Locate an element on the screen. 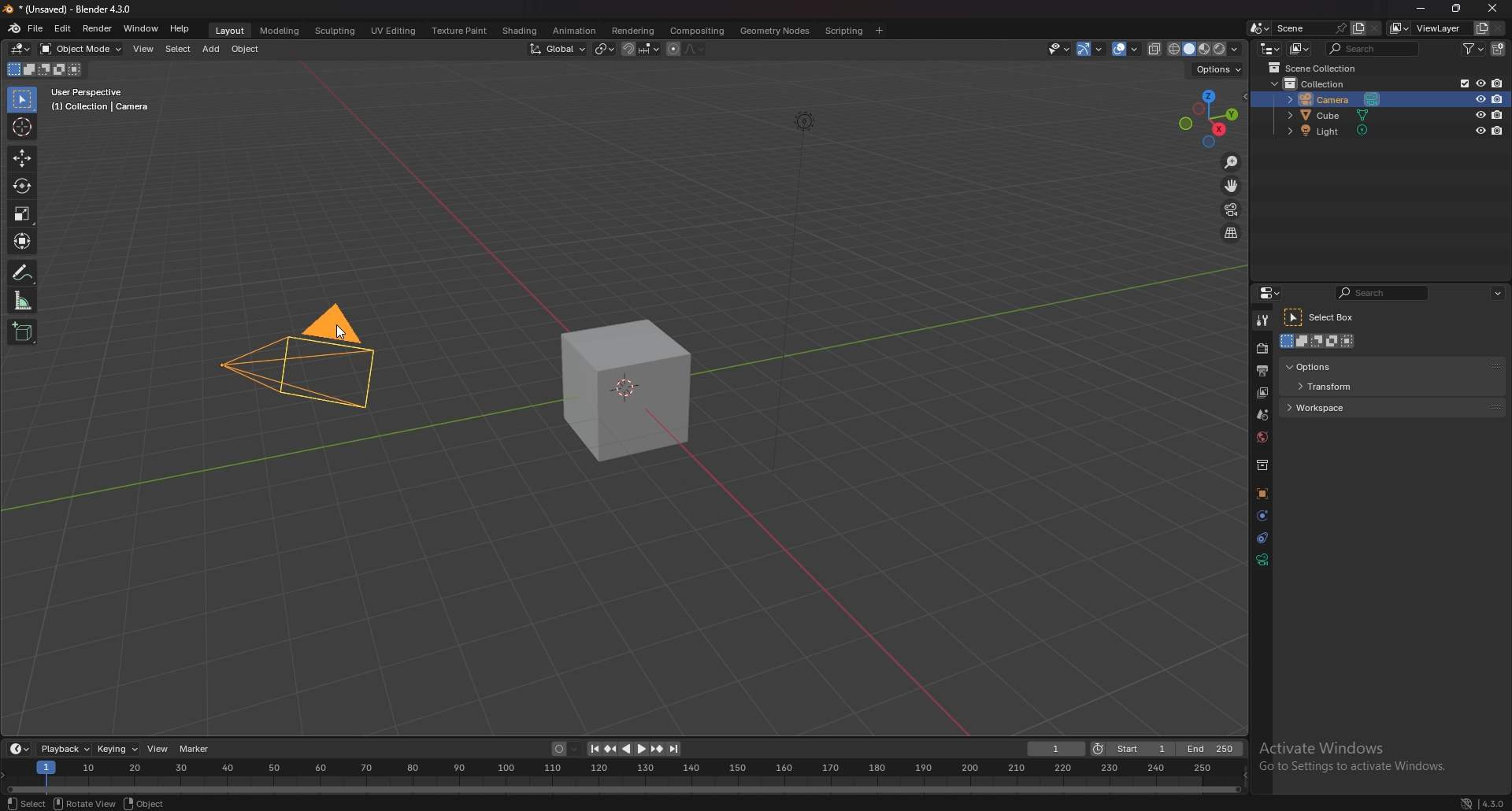  animation is located at coordinates (573, 30).